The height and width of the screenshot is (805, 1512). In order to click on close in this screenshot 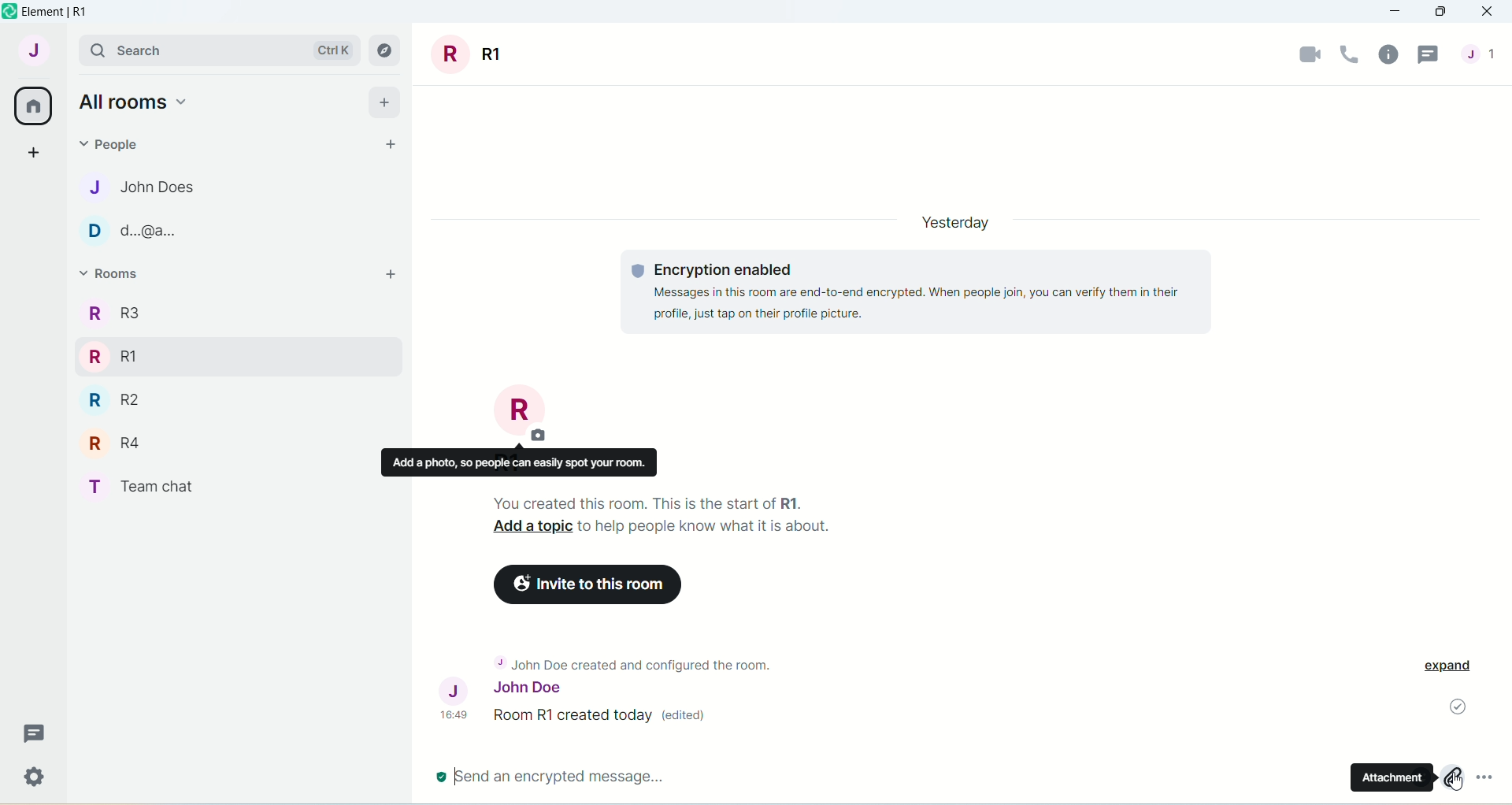, I will do `click(1488, 13)`.